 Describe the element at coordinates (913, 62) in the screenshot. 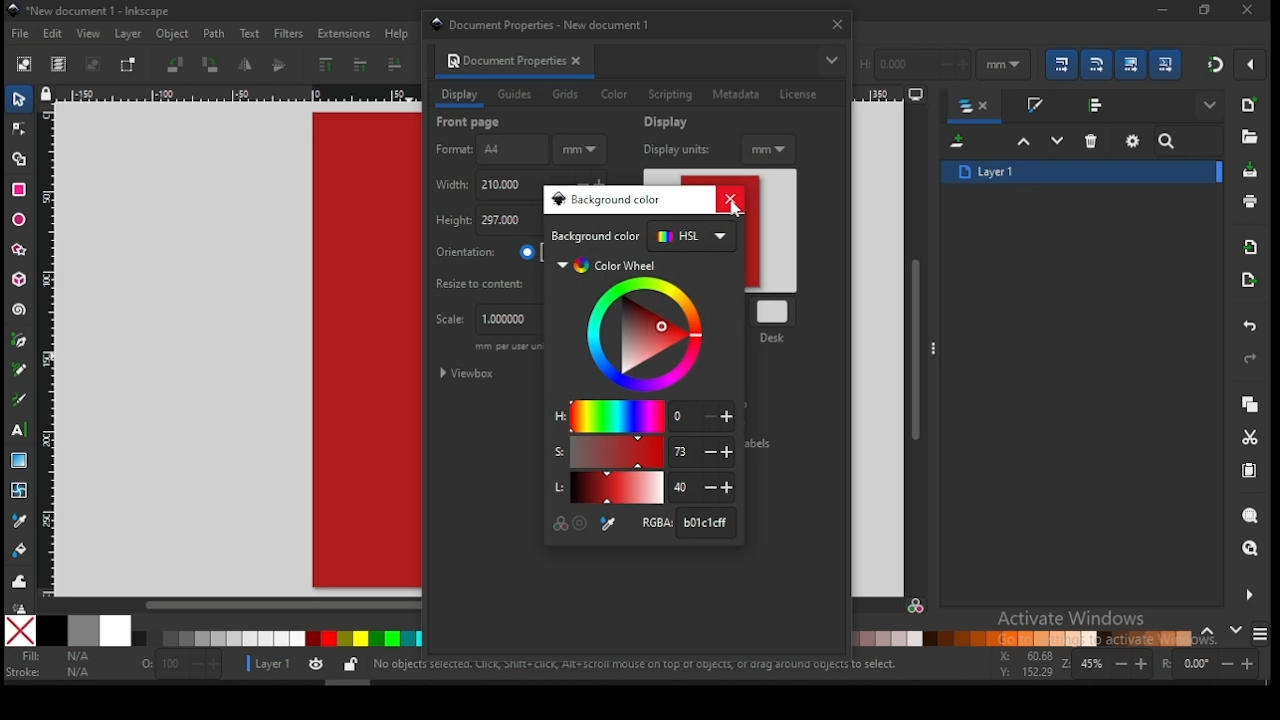

I see `height of selection` at that location.